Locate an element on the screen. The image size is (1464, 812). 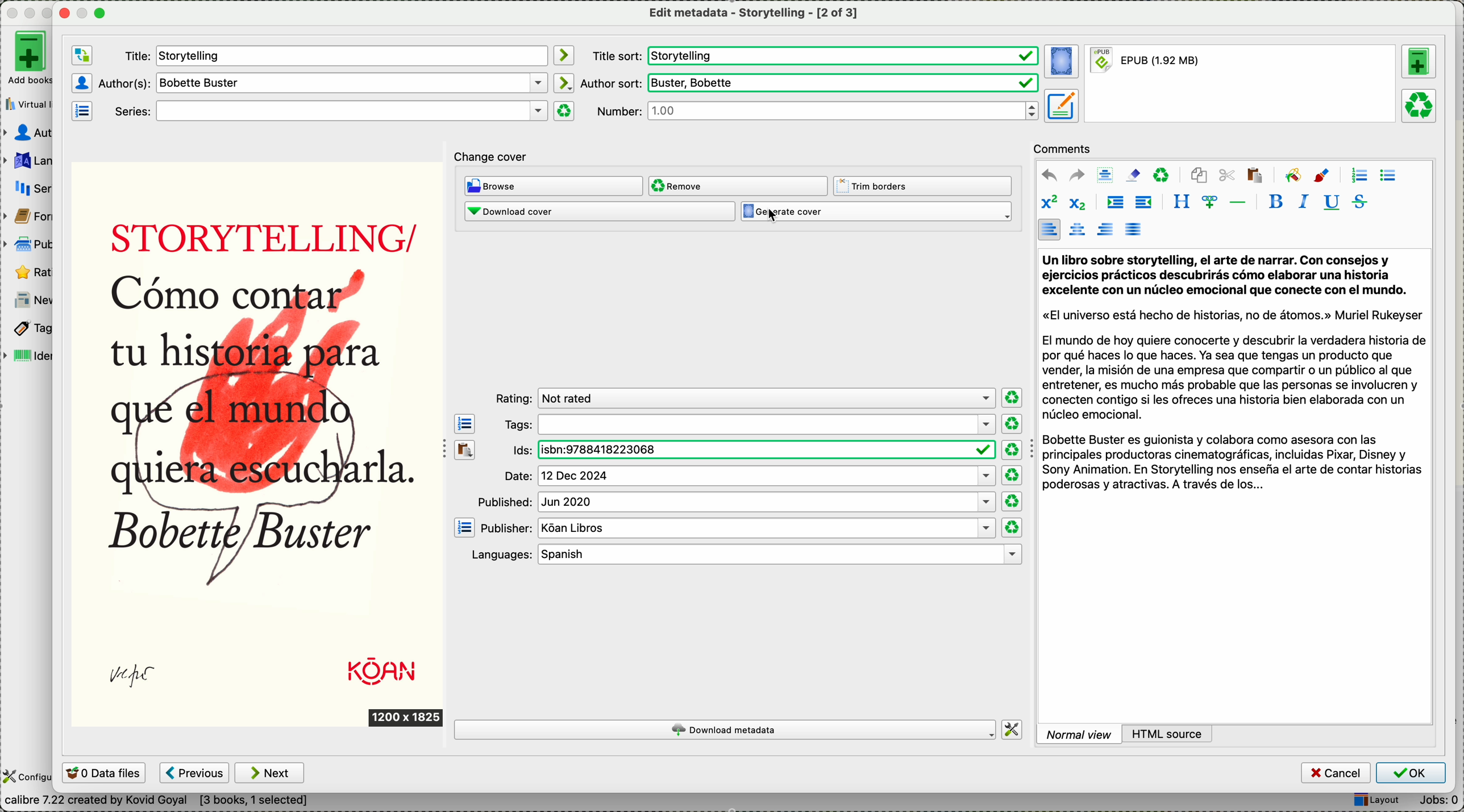
bold is located at coordinates (1276, 202).